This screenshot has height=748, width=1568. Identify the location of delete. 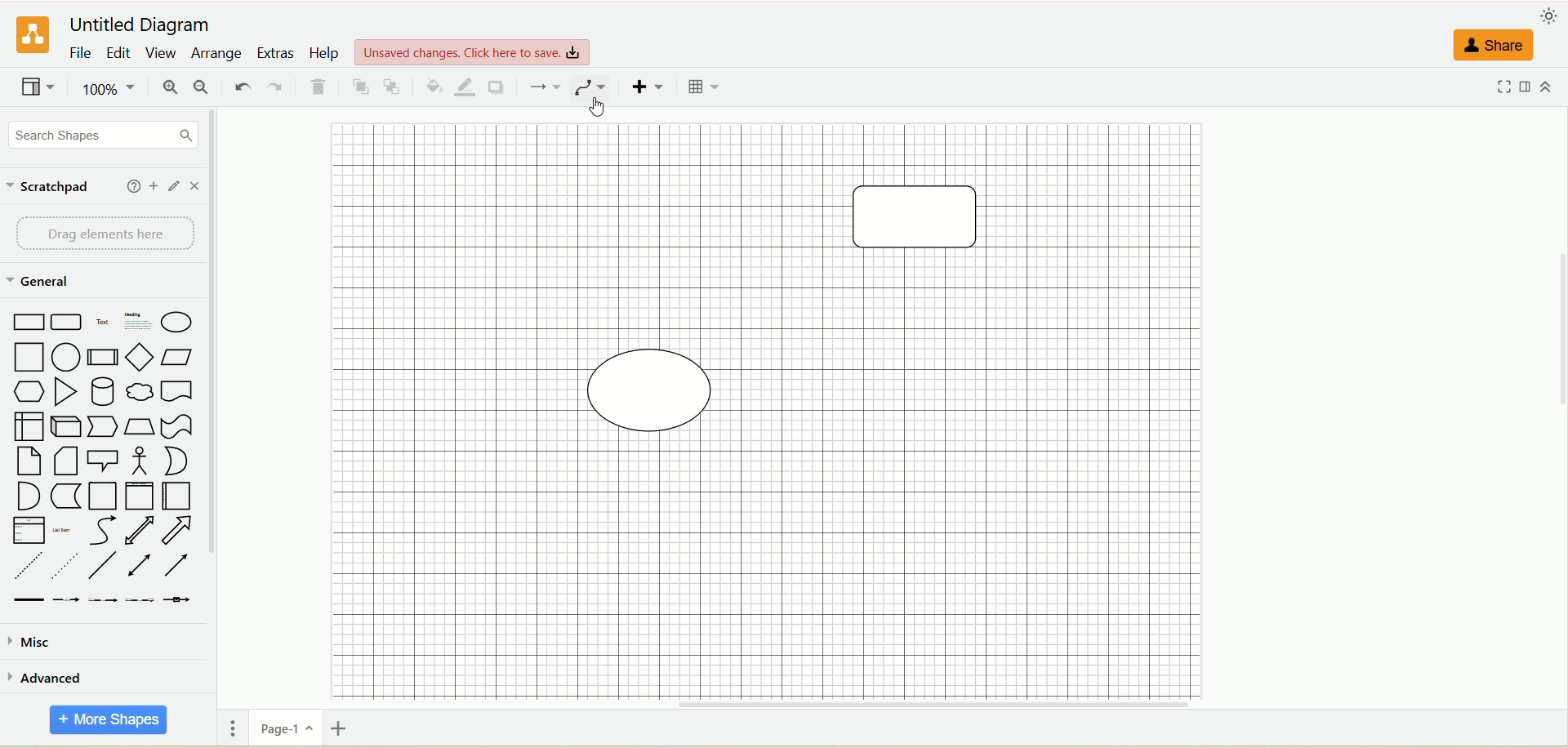
(320, 88).